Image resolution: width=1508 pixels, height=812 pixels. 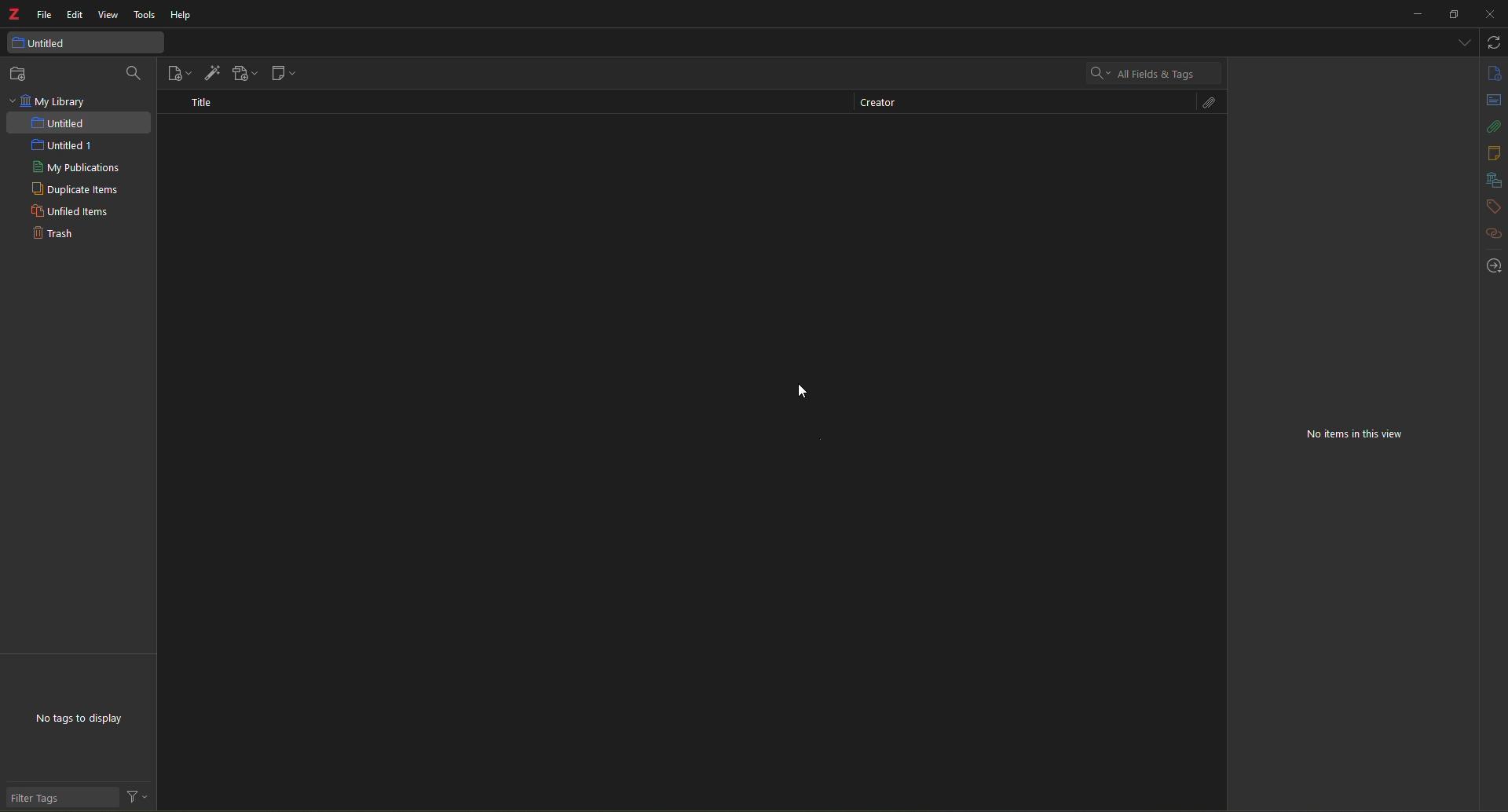 I want to click on cursor, so click(x=804, y=390).